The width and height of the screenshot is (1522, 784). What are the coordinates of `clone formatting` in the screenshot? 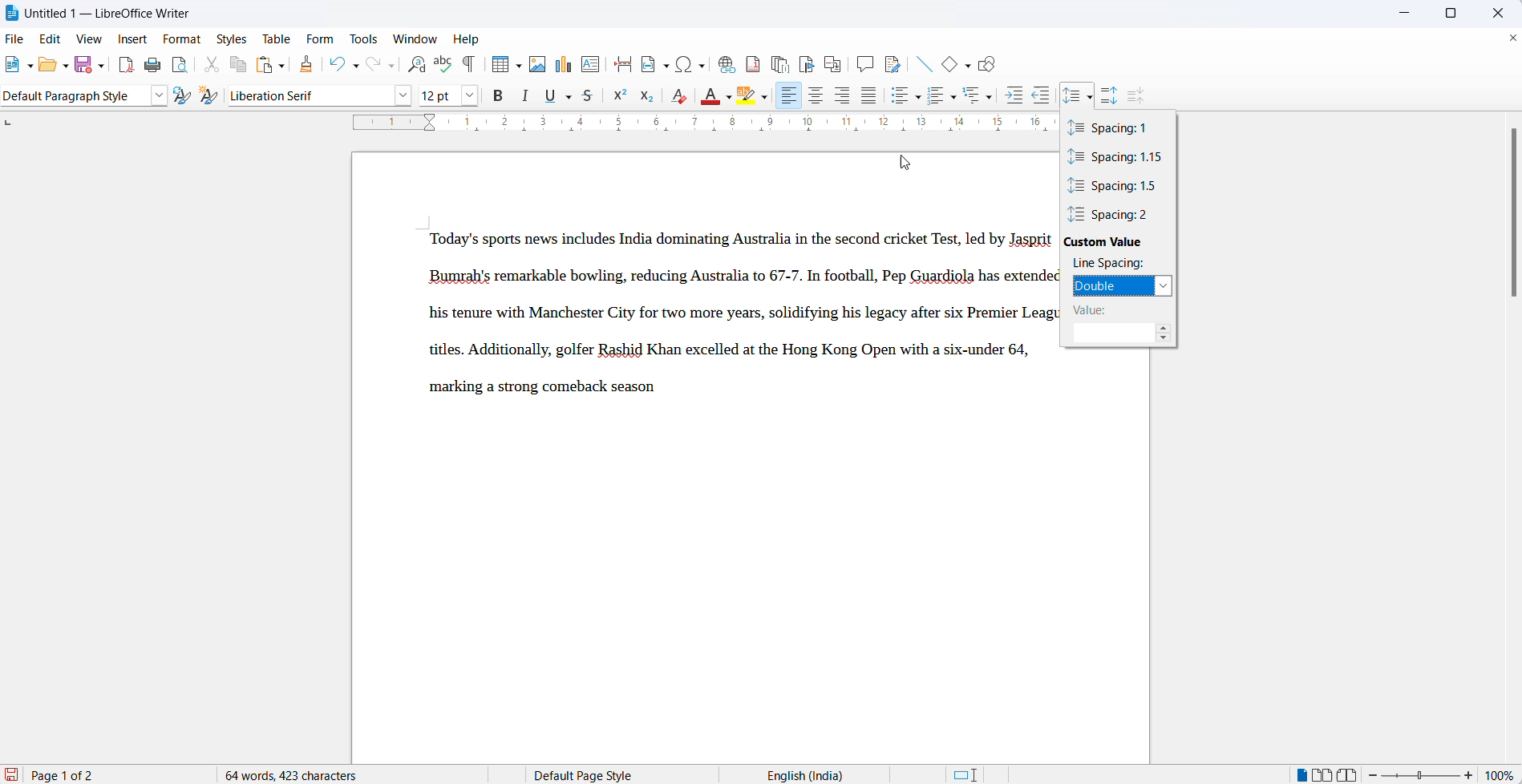 It's located at (310, 66).